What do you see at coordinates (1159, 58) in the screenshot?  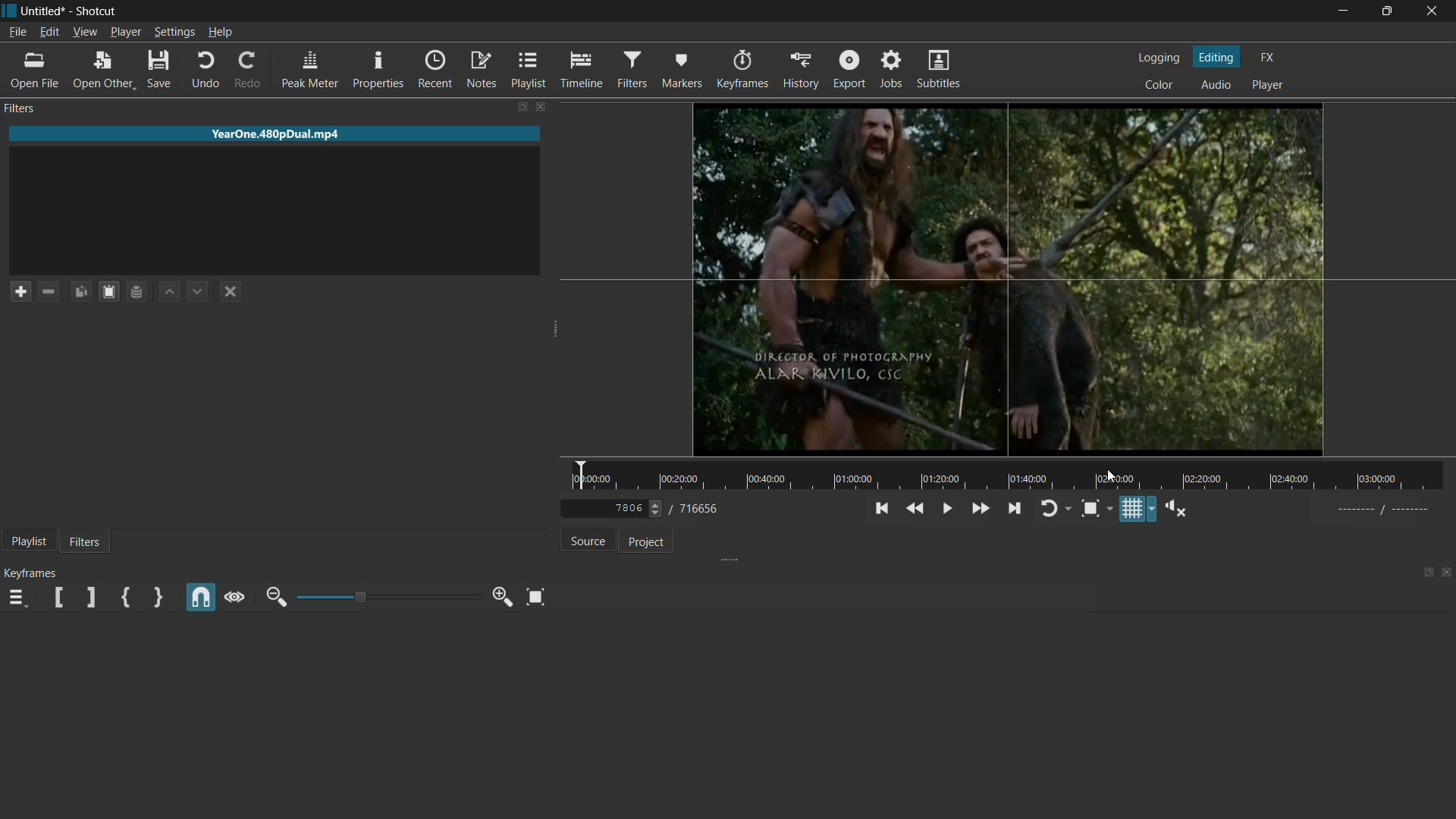 I see `logging` at bounding box center [1159, 58].